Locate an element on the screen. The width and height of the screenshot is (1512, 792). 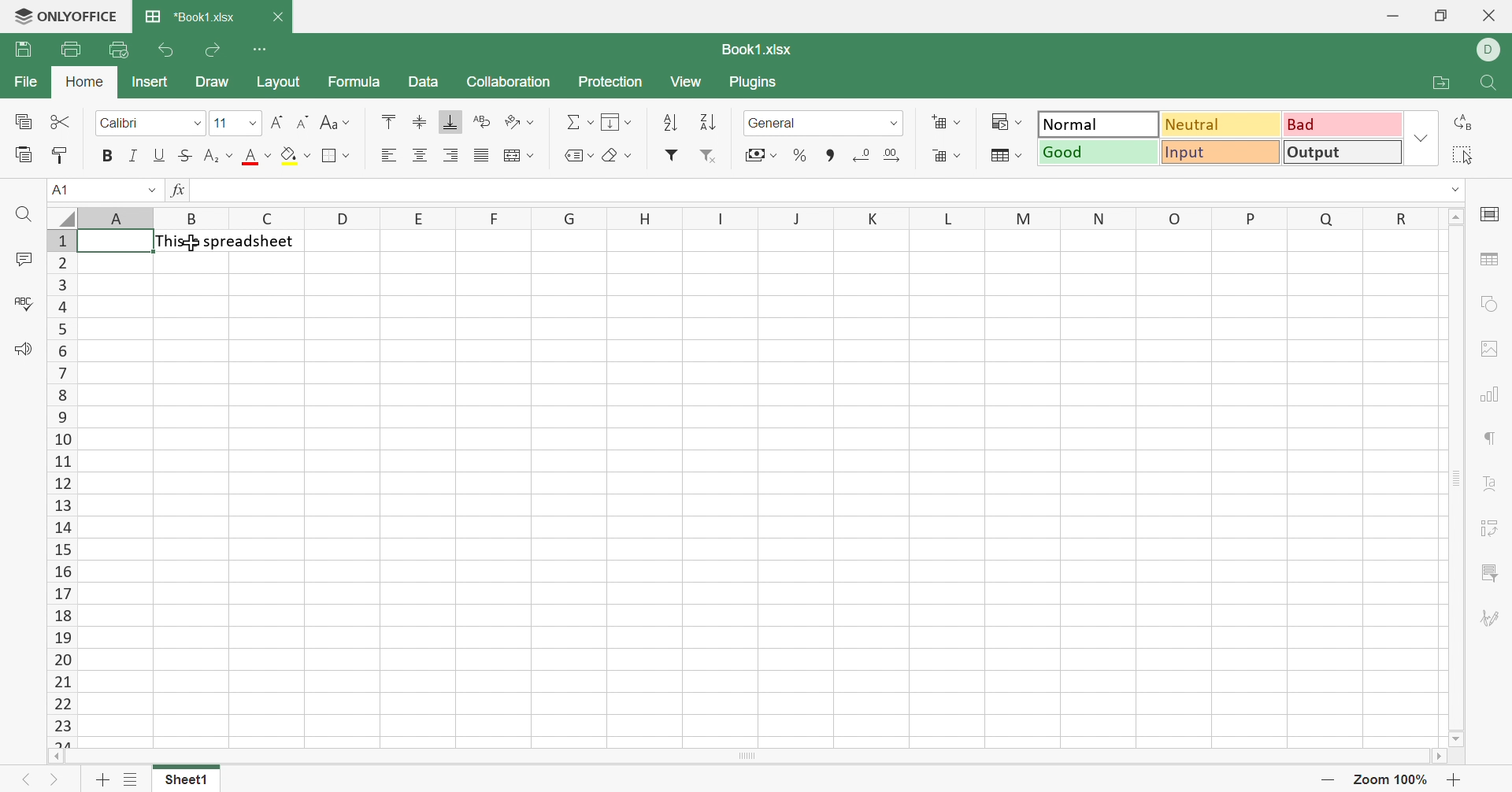
Neutral is located at coordinates (1221, 125).